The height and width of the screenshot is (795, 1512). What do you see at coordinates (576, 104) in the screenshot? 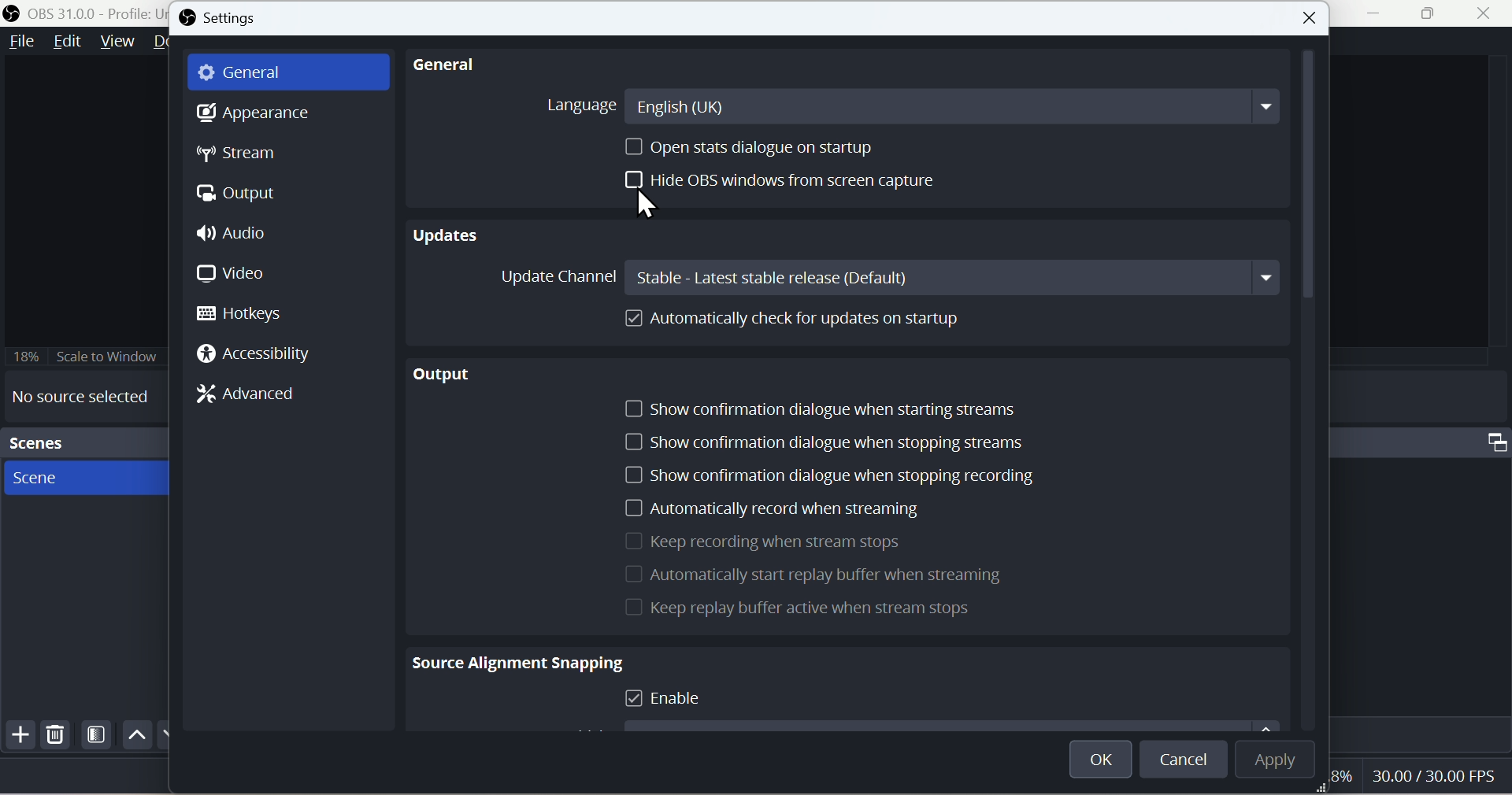
I see `Language` at bounding box center [576, 104].